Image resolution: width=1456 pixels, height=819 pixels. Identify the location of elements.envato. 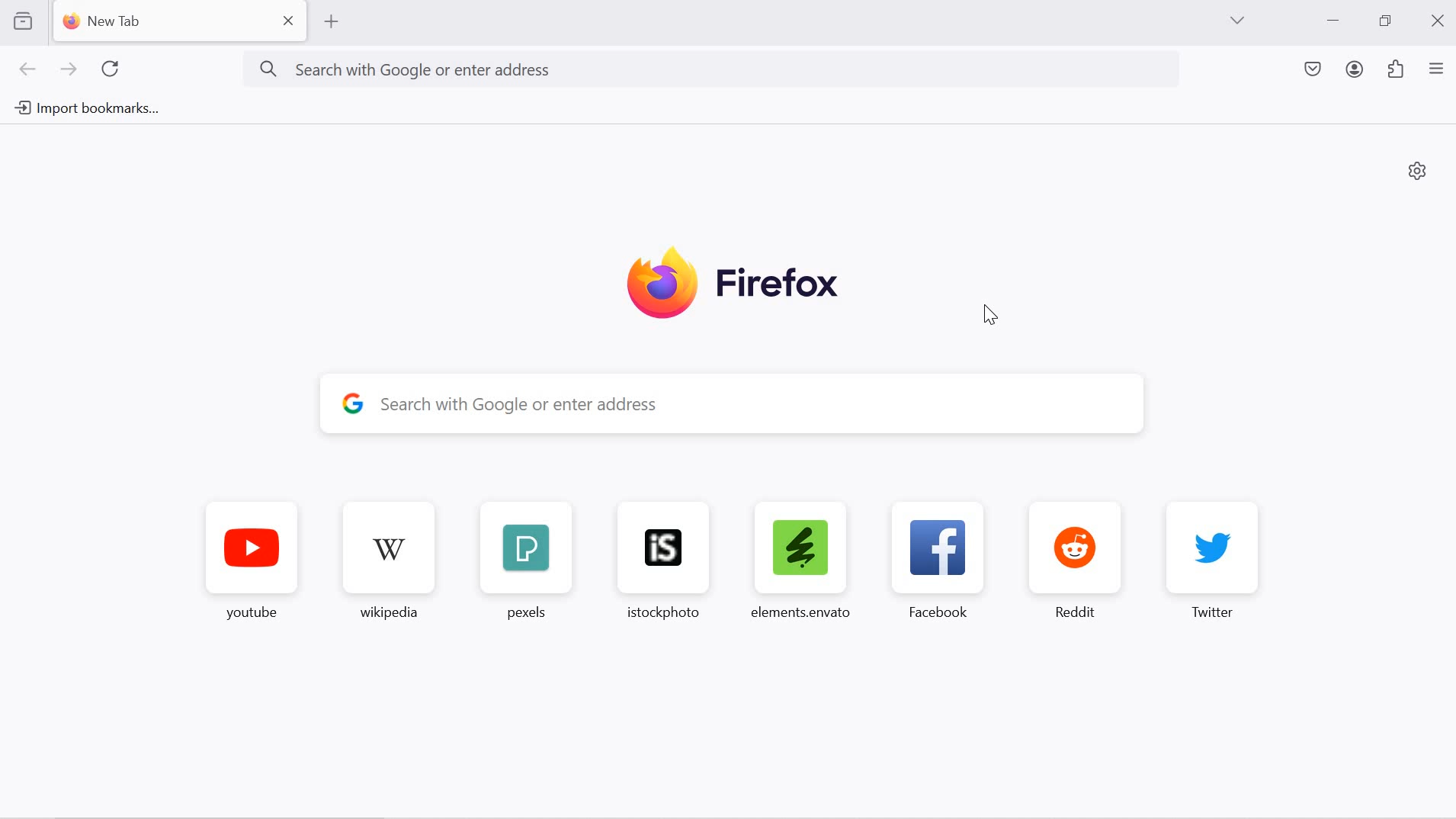
(804, 569).